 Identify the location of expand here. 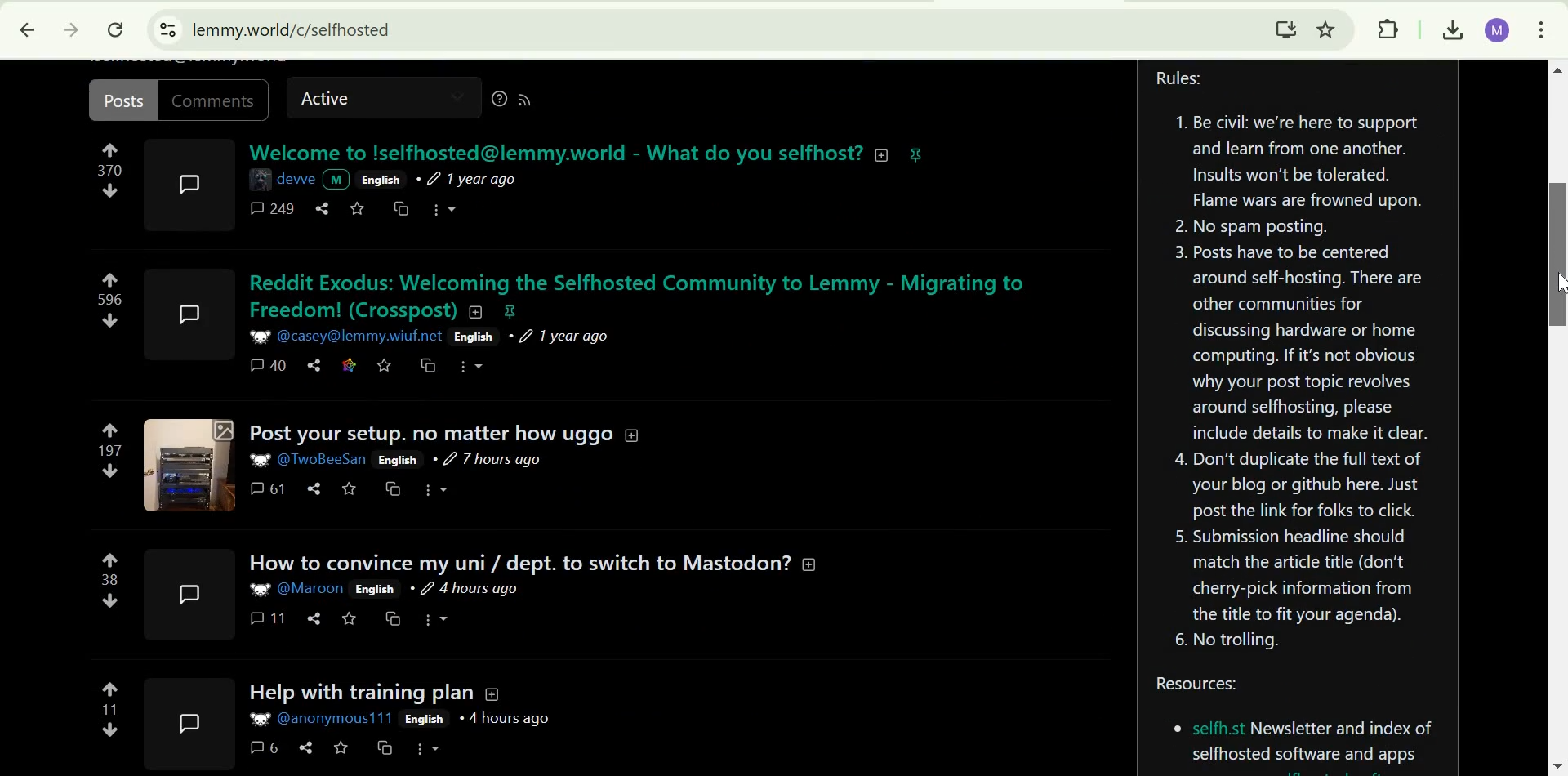
(190, 184).